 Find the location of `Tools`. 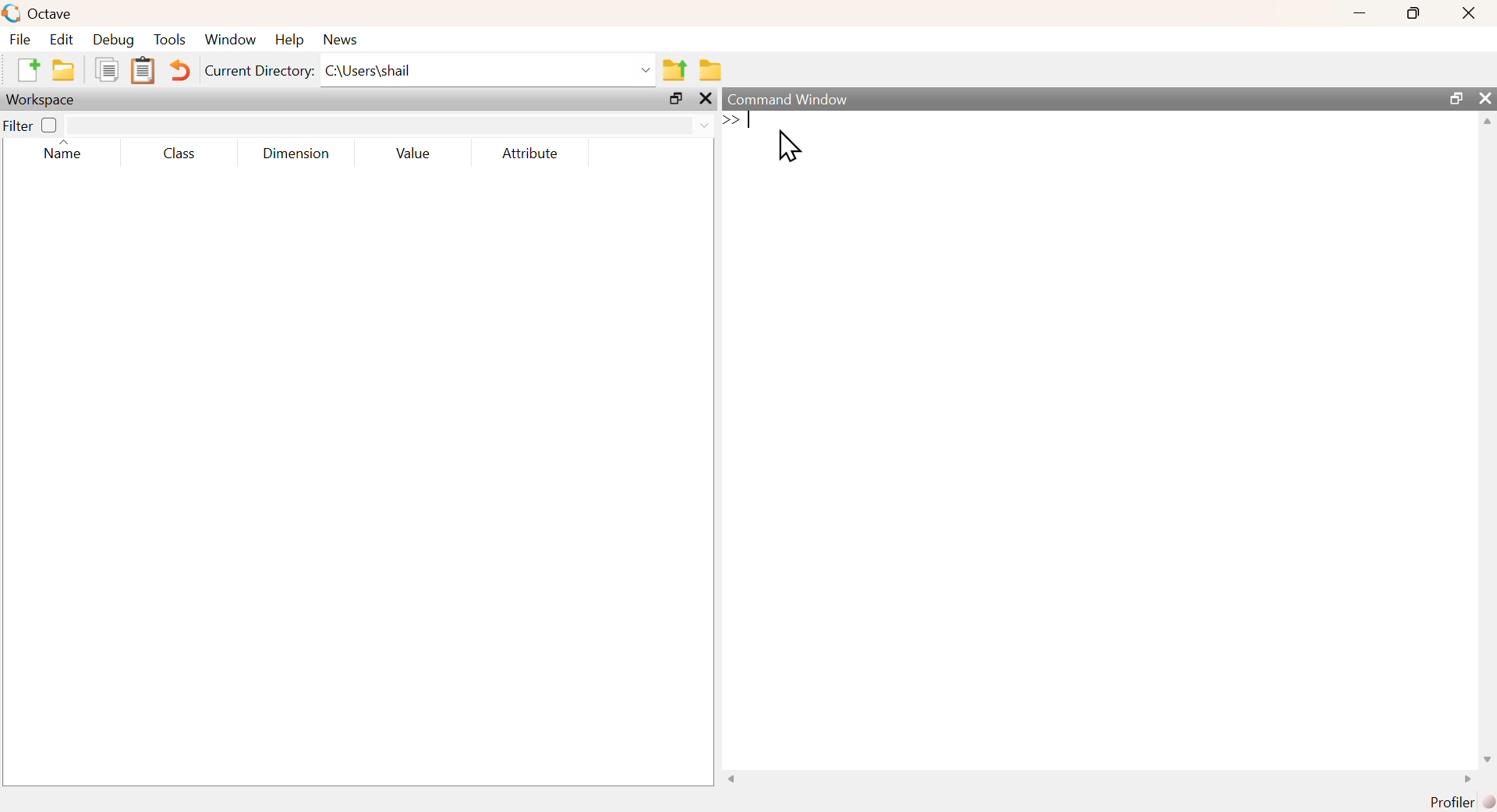

Tools is located at coordinates (171, 40).